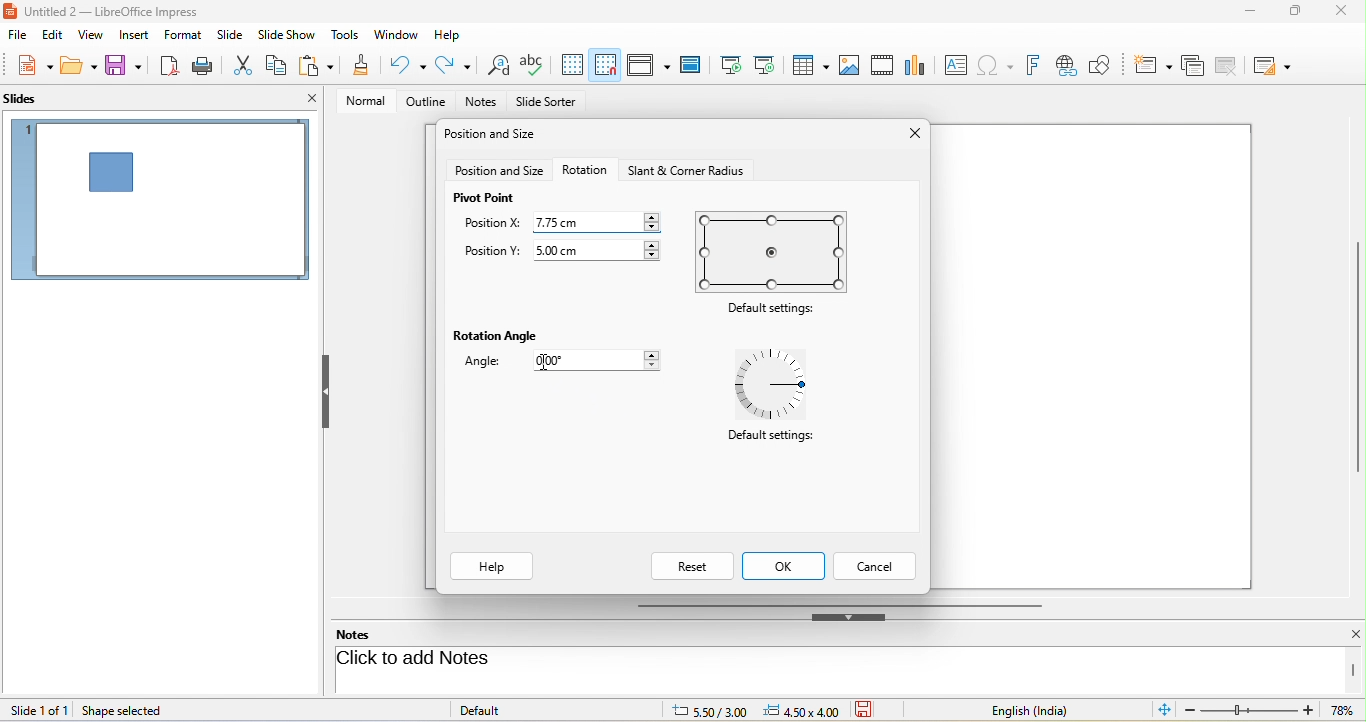 This screenshot has width=1366, height=722. What do you see at coordinates (1192, 64) in the screenshot?
I see `duplicate slide` at bounding box center [1192, 64].